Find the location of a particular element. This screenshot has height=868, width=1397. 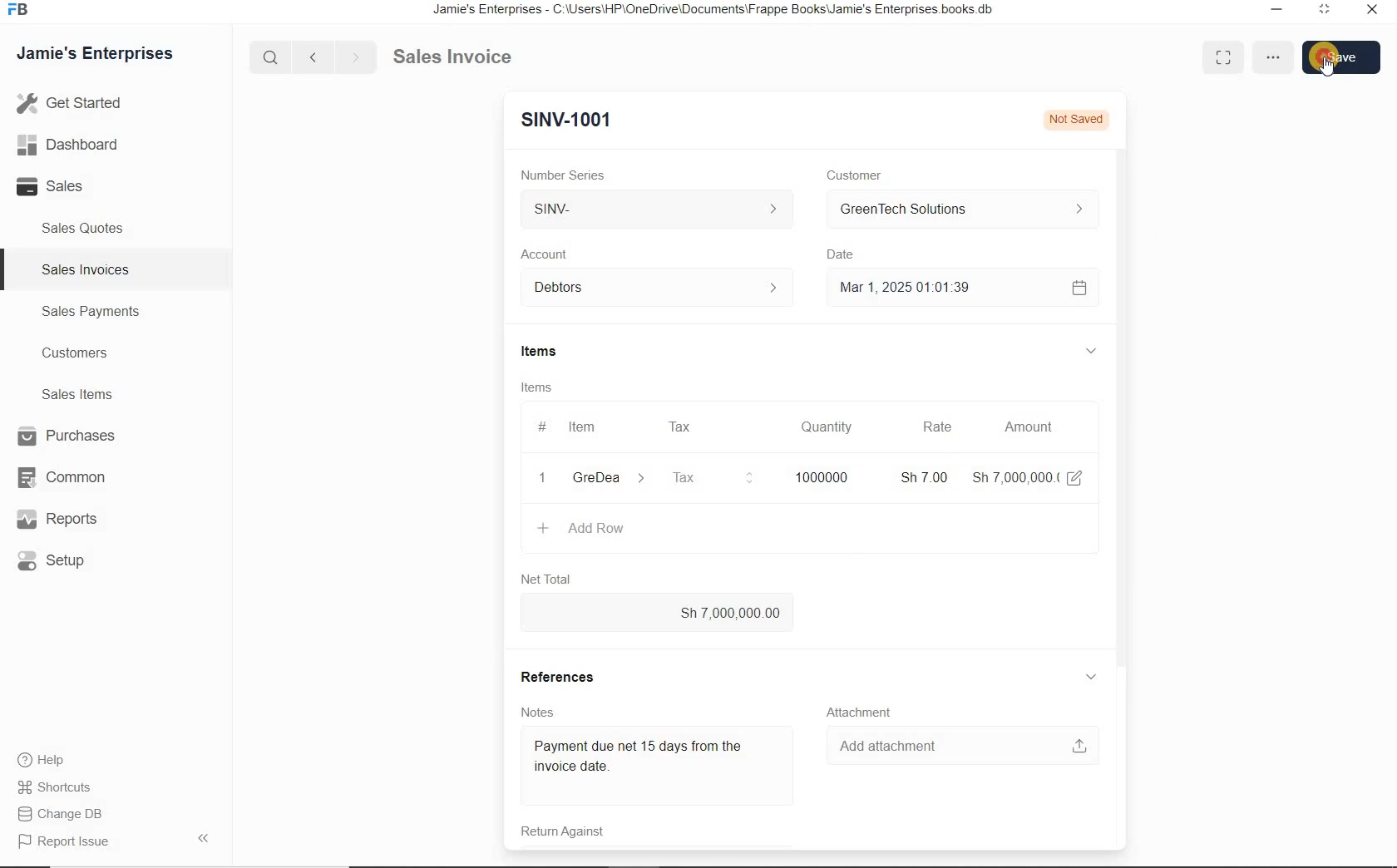

Account is located at coordinates (545, 254).